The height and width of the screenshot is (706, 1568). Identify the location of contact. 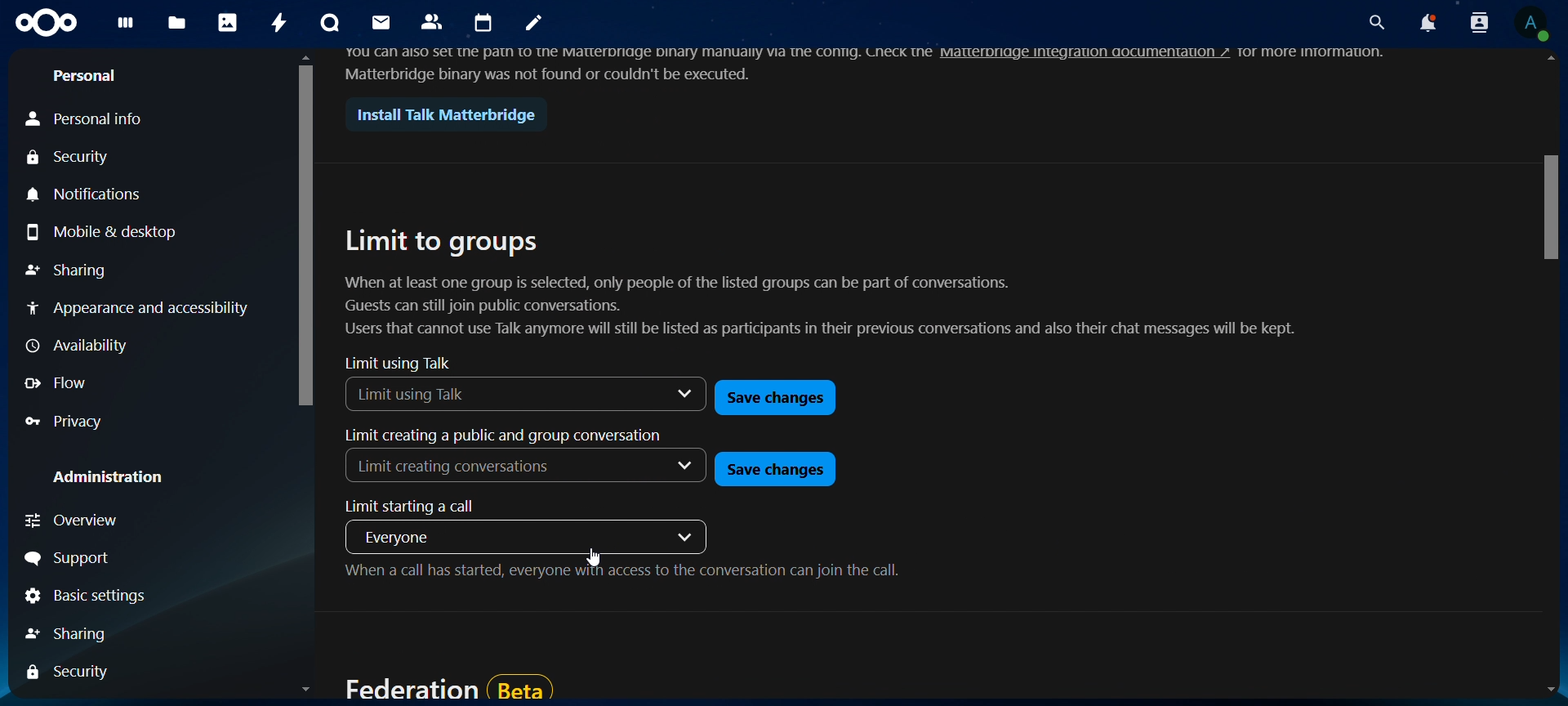
(435, 23).